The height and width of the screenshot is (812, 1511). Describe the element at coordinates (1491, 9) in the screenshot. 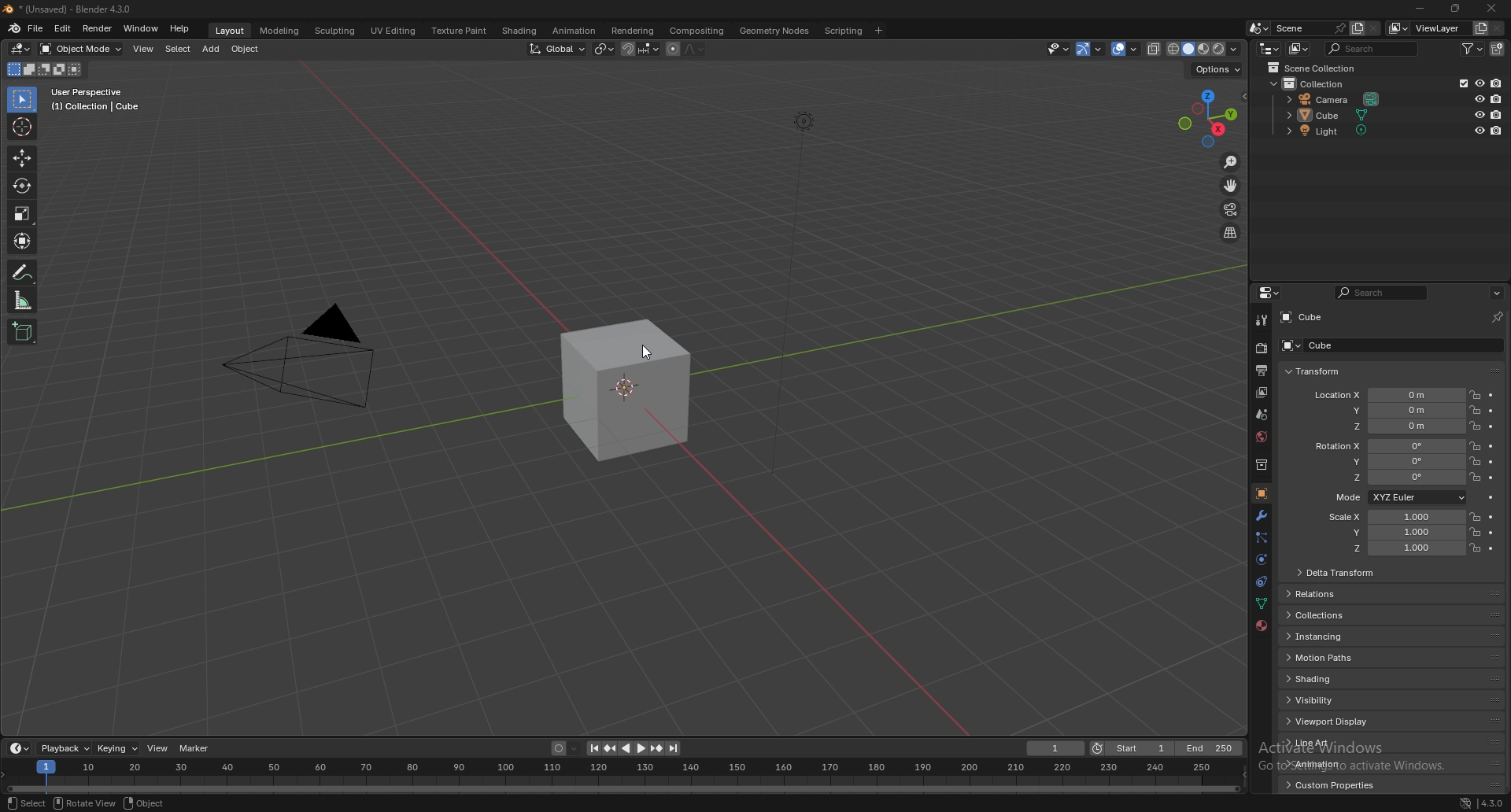

I see `close` at that location.